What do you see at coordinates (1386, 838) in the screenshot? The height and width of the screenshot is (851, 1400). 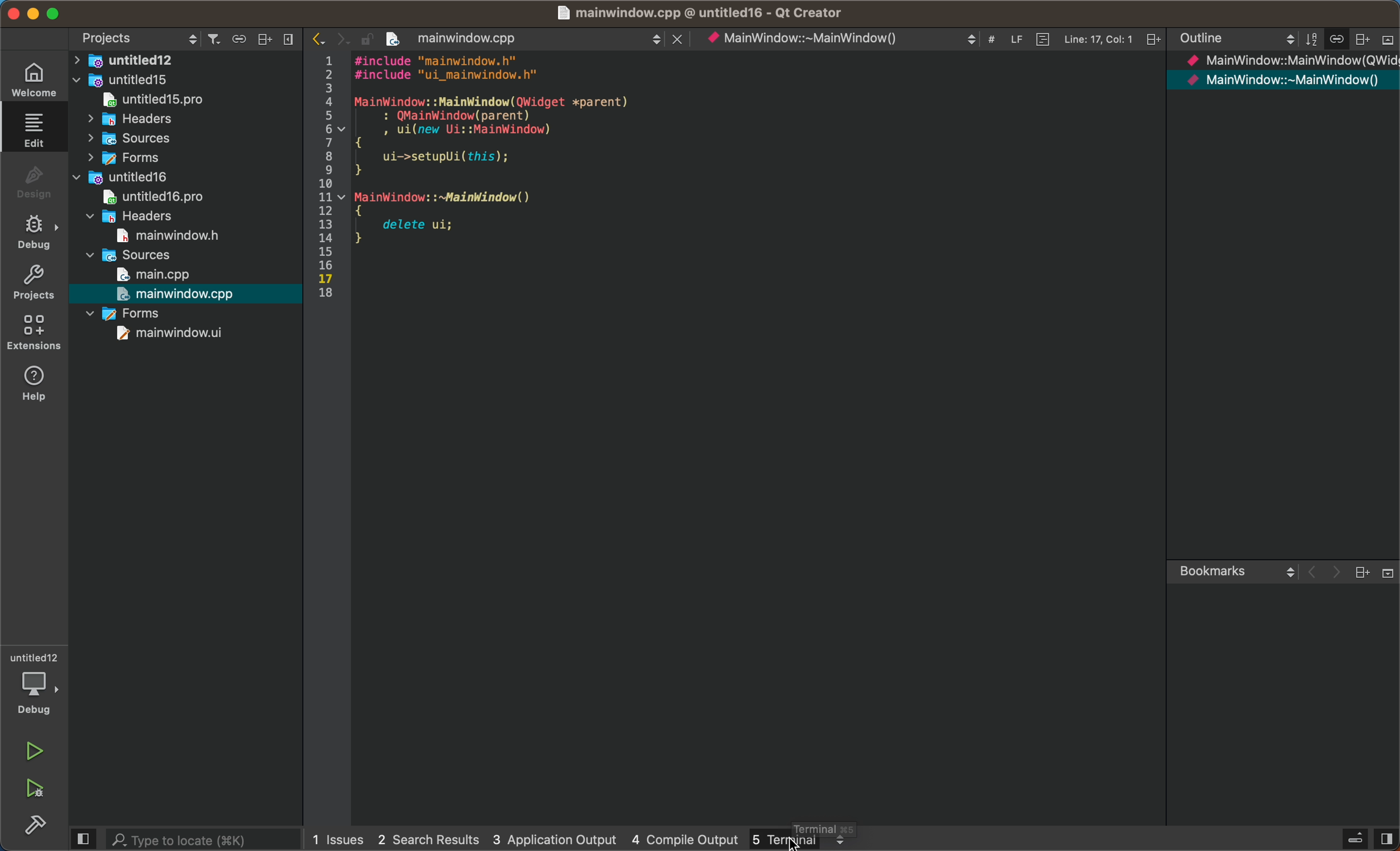 I see `side panle` at bounding box center [1386, 838].